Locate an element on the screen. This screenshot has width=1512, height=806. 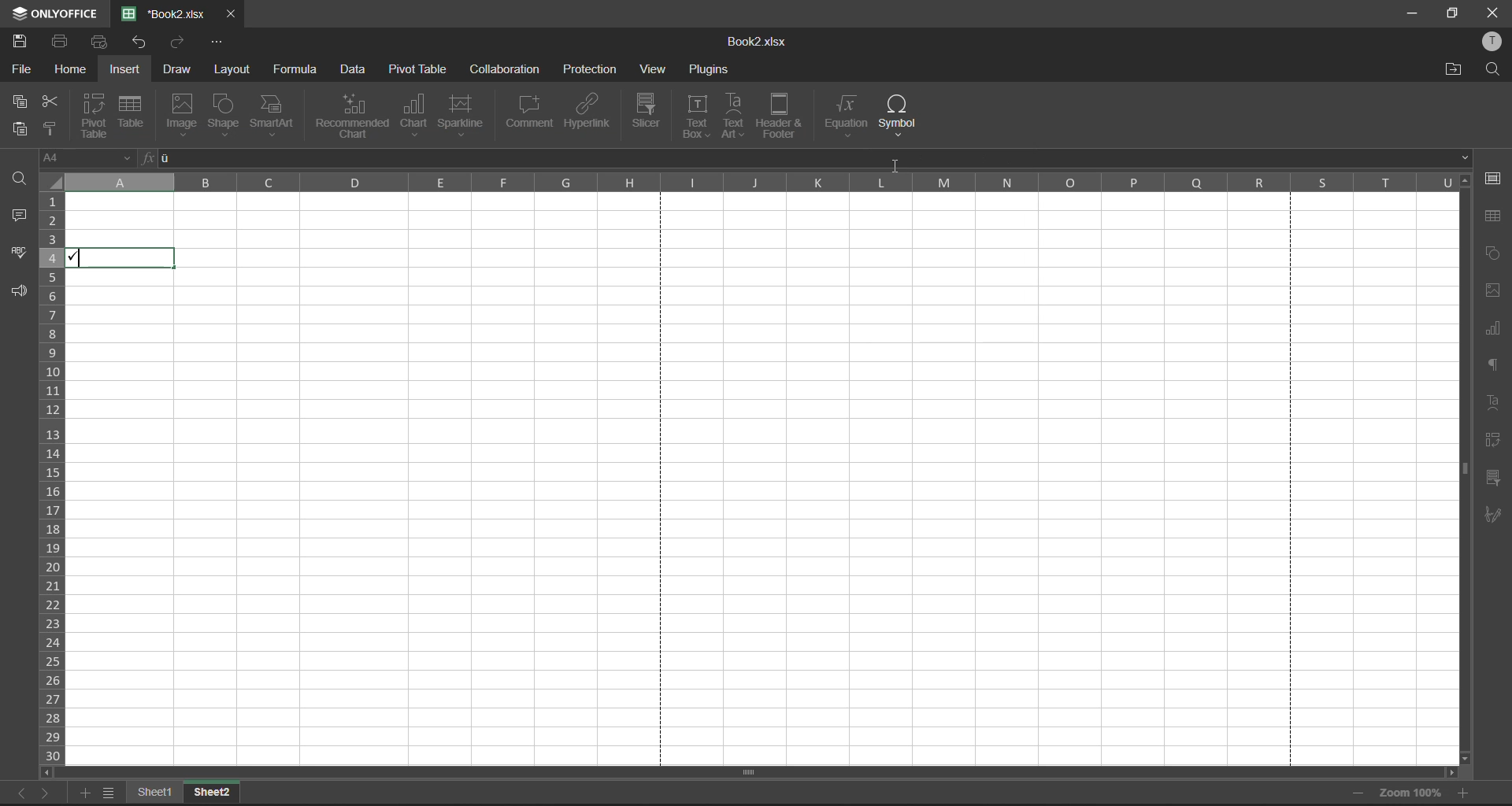
icon is located at coordinates (17, 14).